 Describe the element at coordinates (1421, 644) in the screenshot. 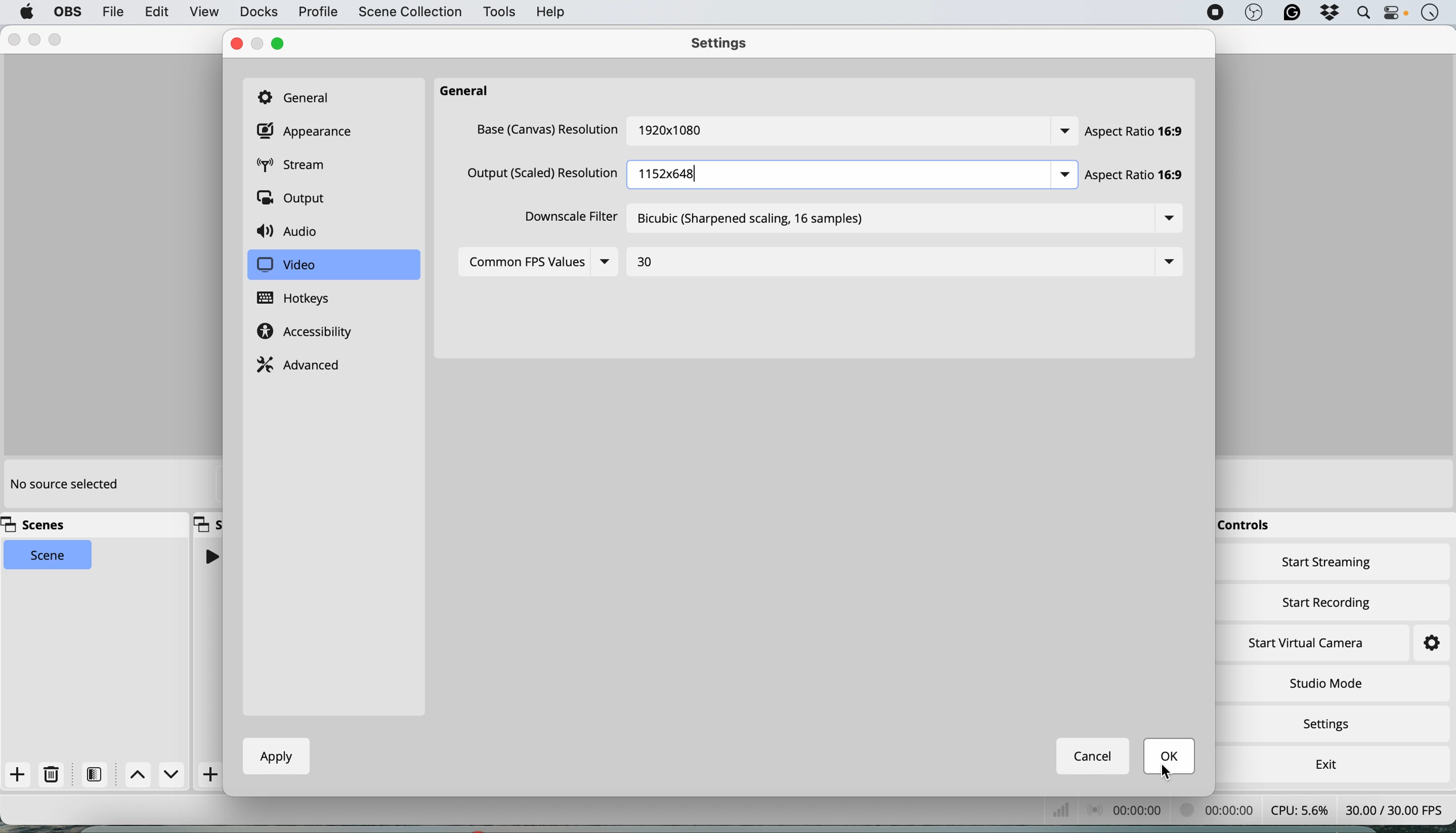

I see `settings` at that location.